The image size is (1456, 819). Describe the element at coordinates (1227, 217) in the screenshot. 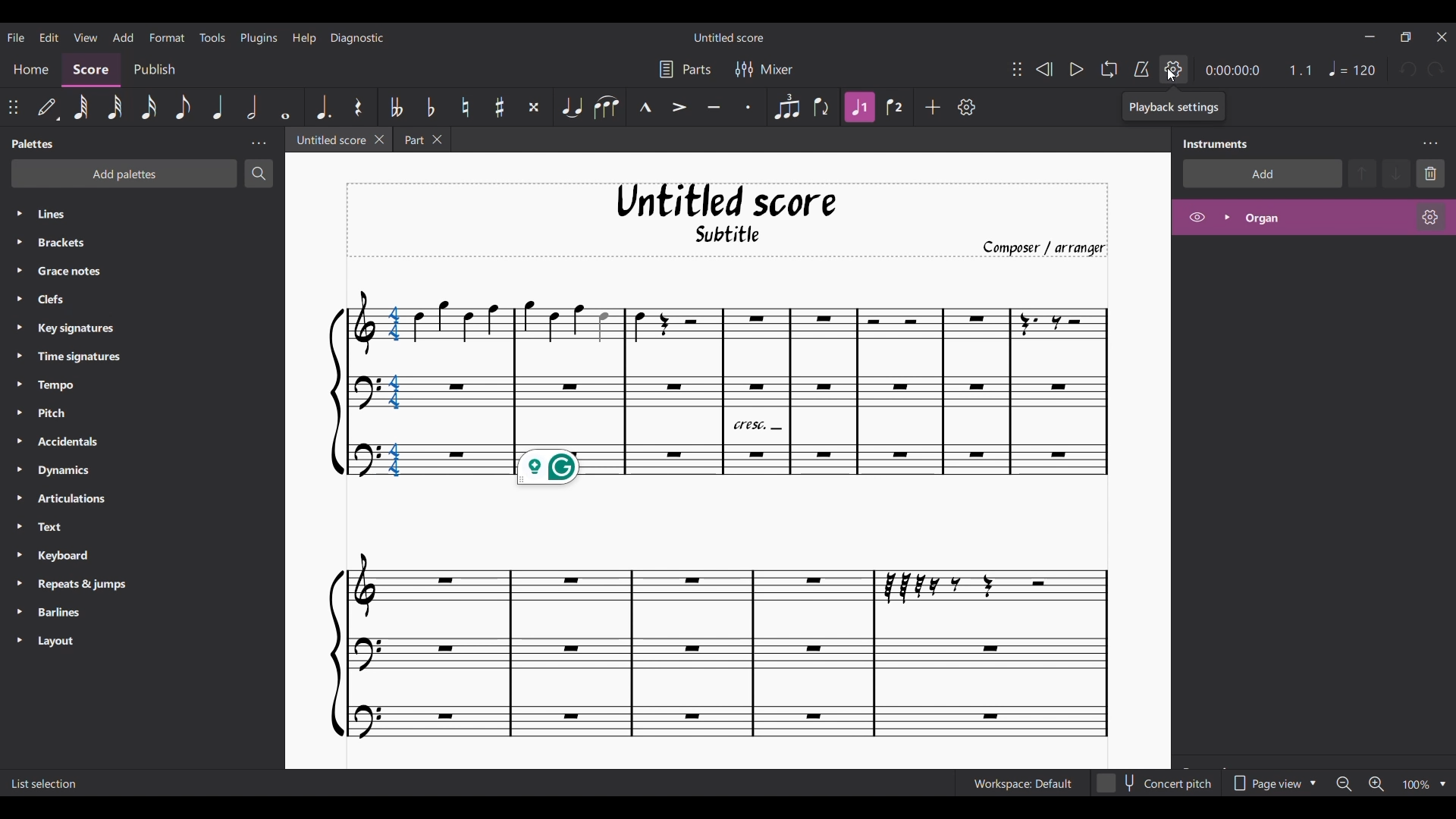

I see `Expand organ` at that location.